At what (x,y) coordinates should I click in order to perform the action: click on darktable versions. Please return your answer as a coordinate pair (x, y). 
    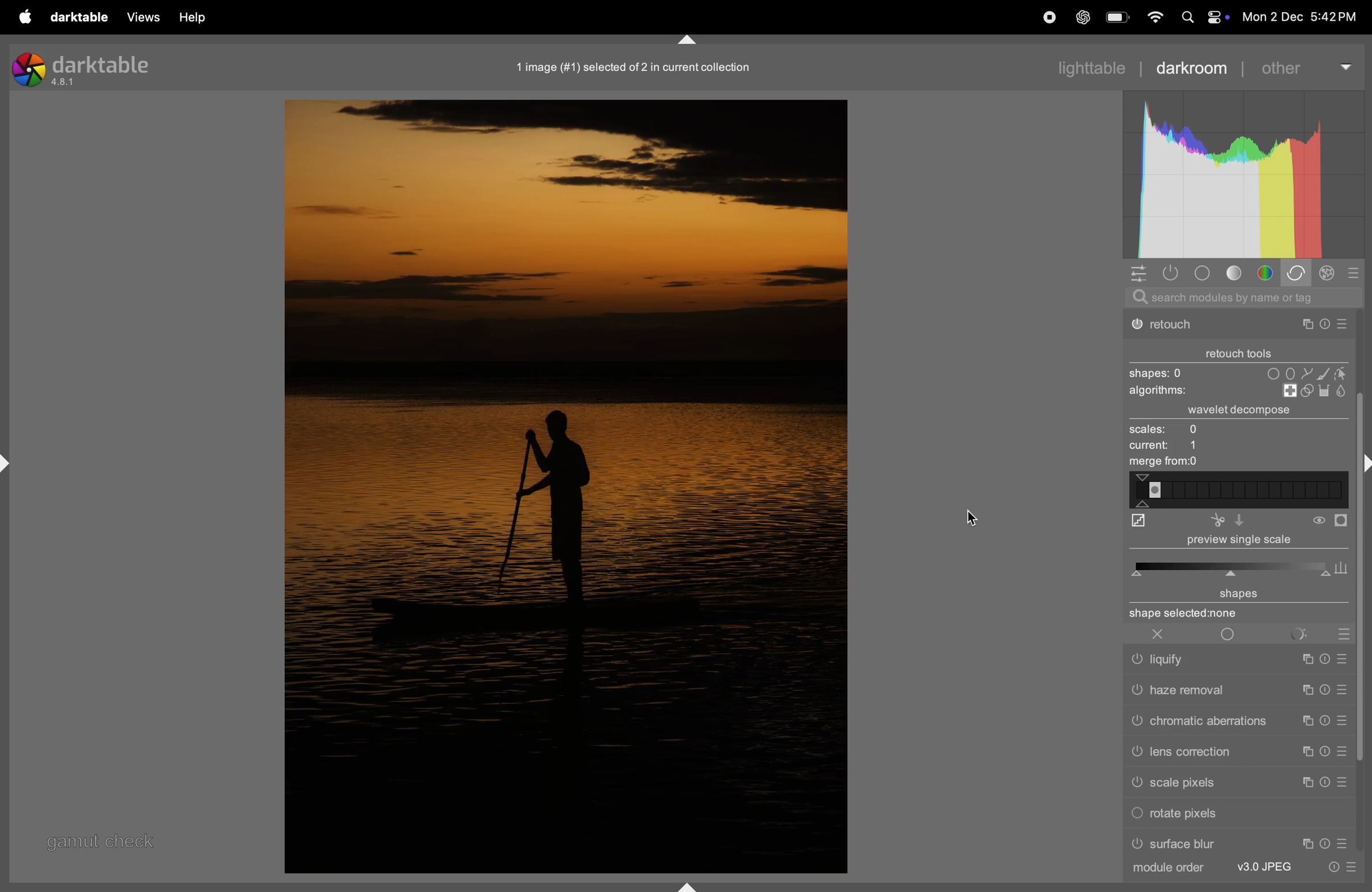
    Looking at the image, I should click on (86, 68).